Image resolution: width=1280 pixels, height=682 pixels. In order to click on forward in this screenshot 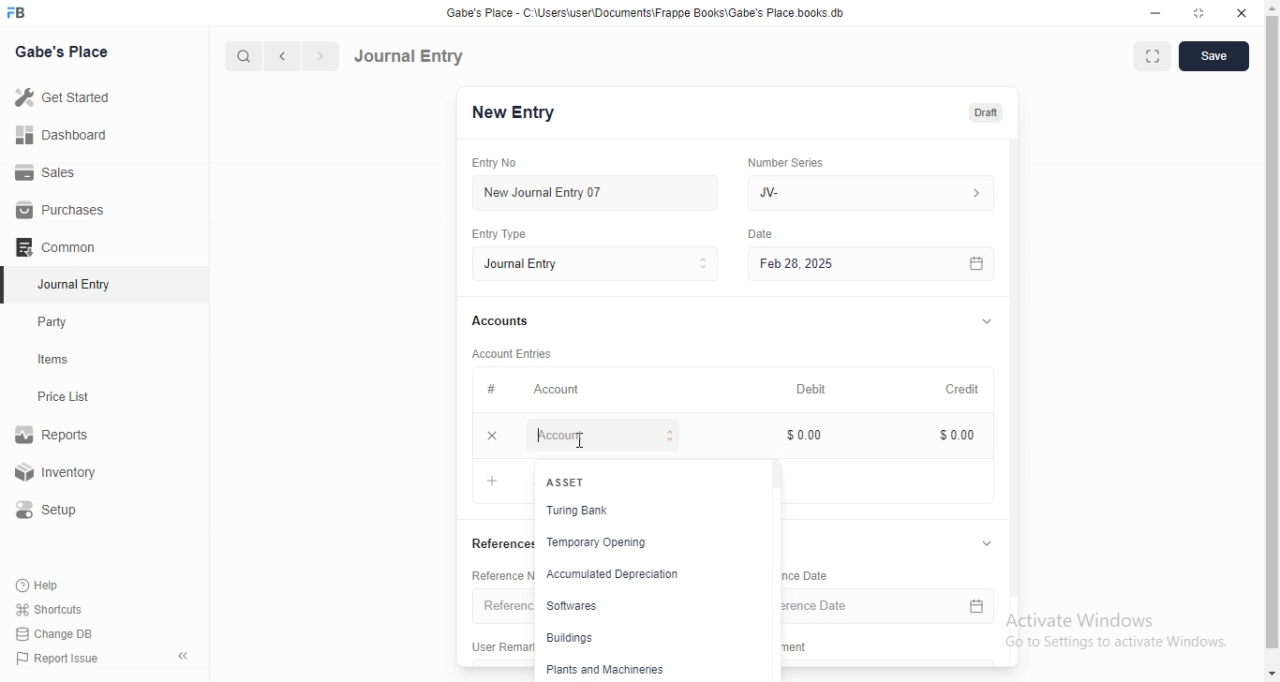, I will do `click(322, 56)`.